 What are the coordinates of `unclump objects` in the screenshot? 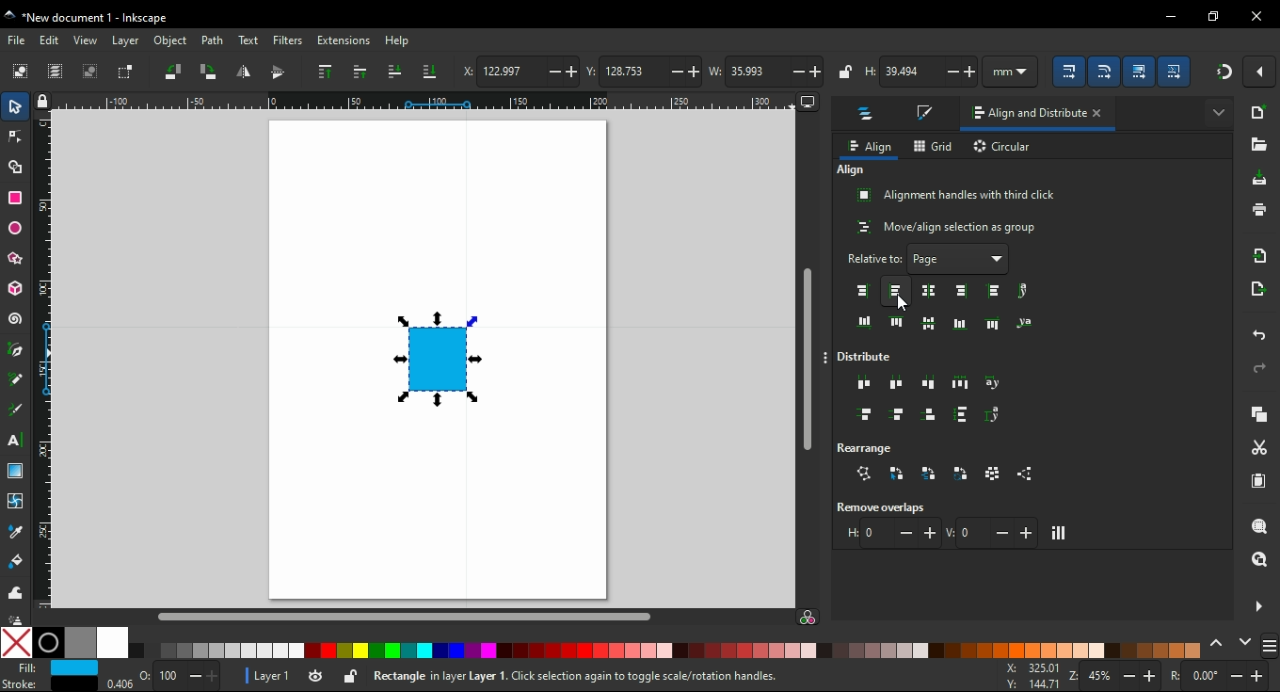 It's located at (1024, 473).